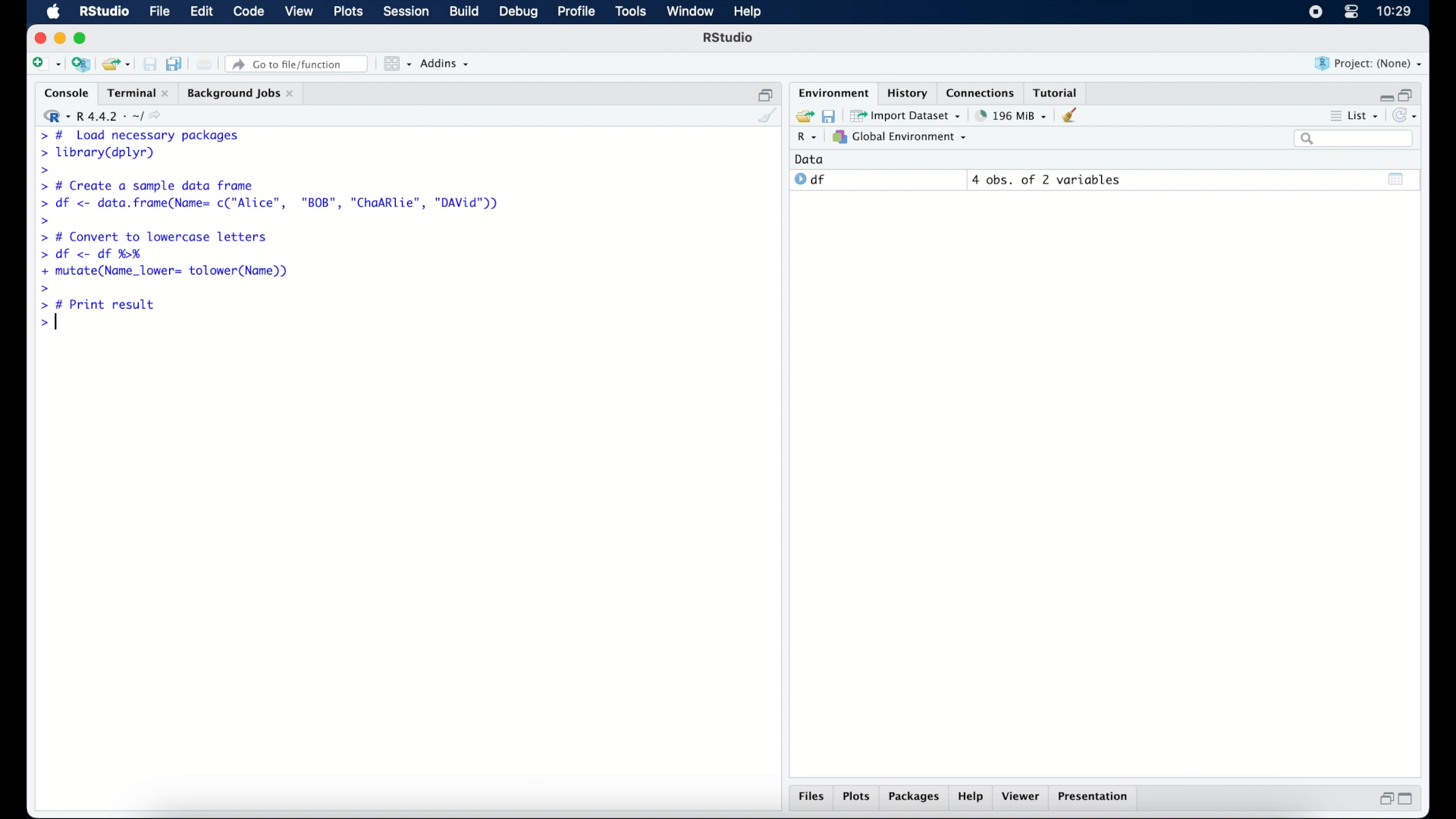 The width and height of the screenshot is (1456, 819). Describe the element at coordinates (770, 117) in the screenshot. I see `clear console` at that location.